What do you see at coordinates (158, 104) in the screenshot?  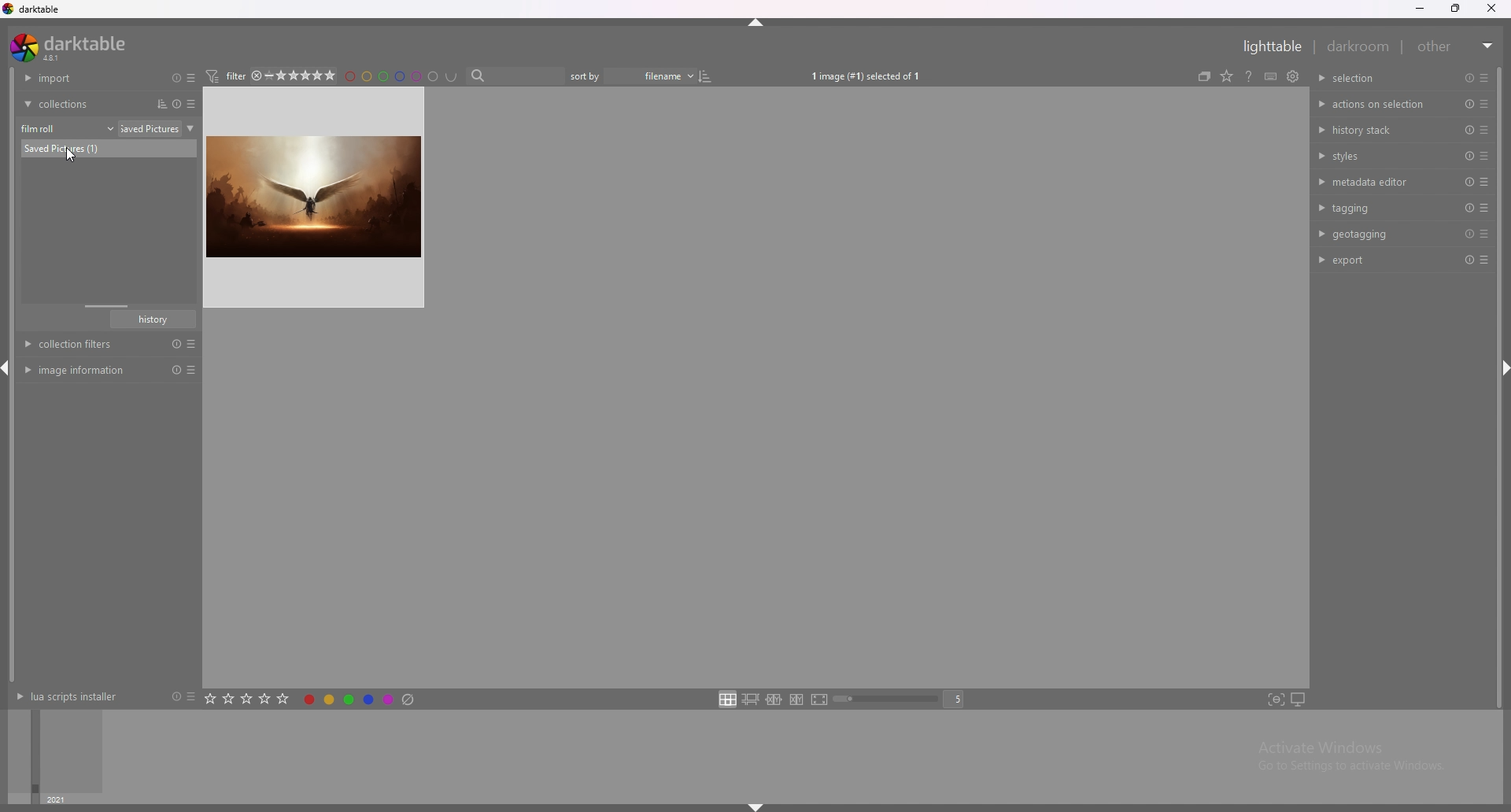 I see `sort` at bounding box center [158, 104].